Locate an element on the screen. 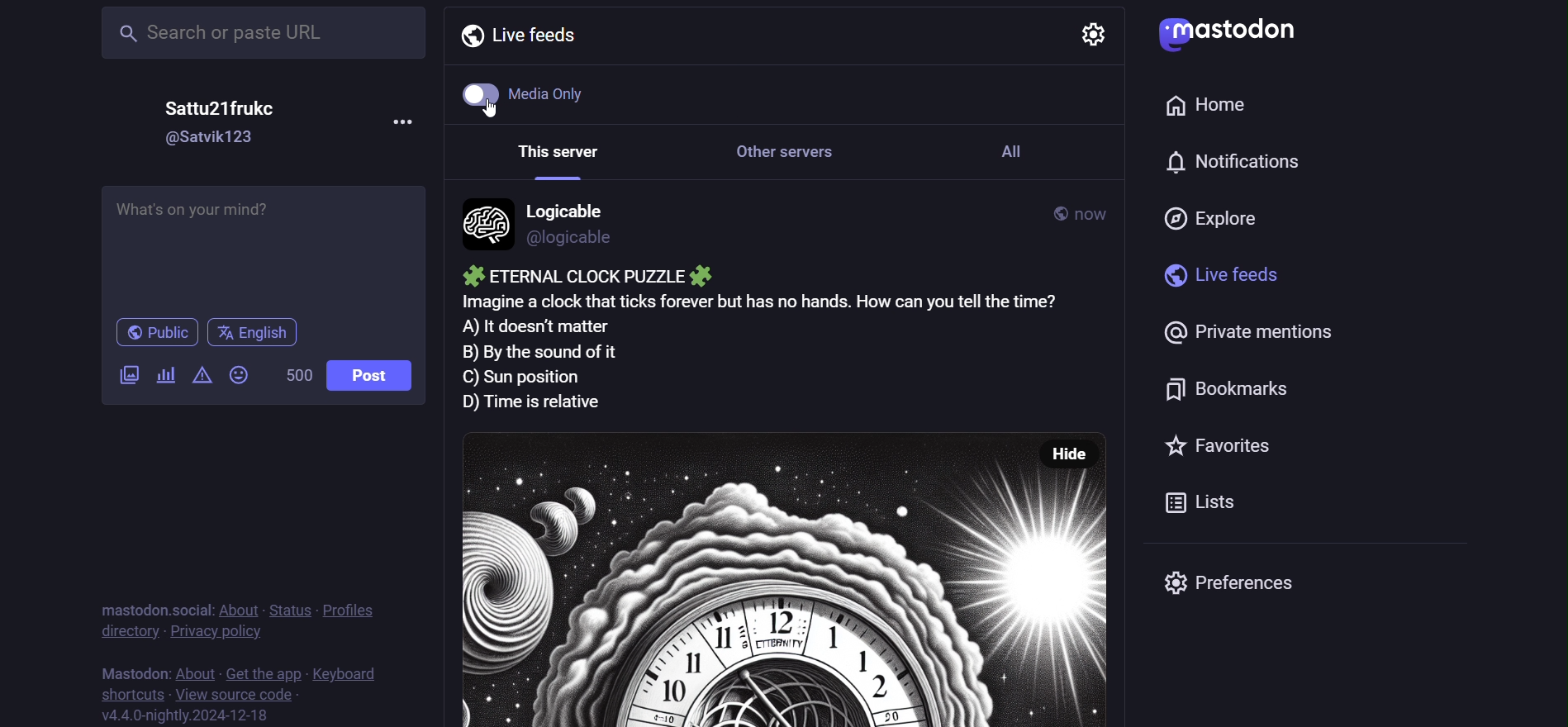  mastodon social is located at coordinates (152, 610).